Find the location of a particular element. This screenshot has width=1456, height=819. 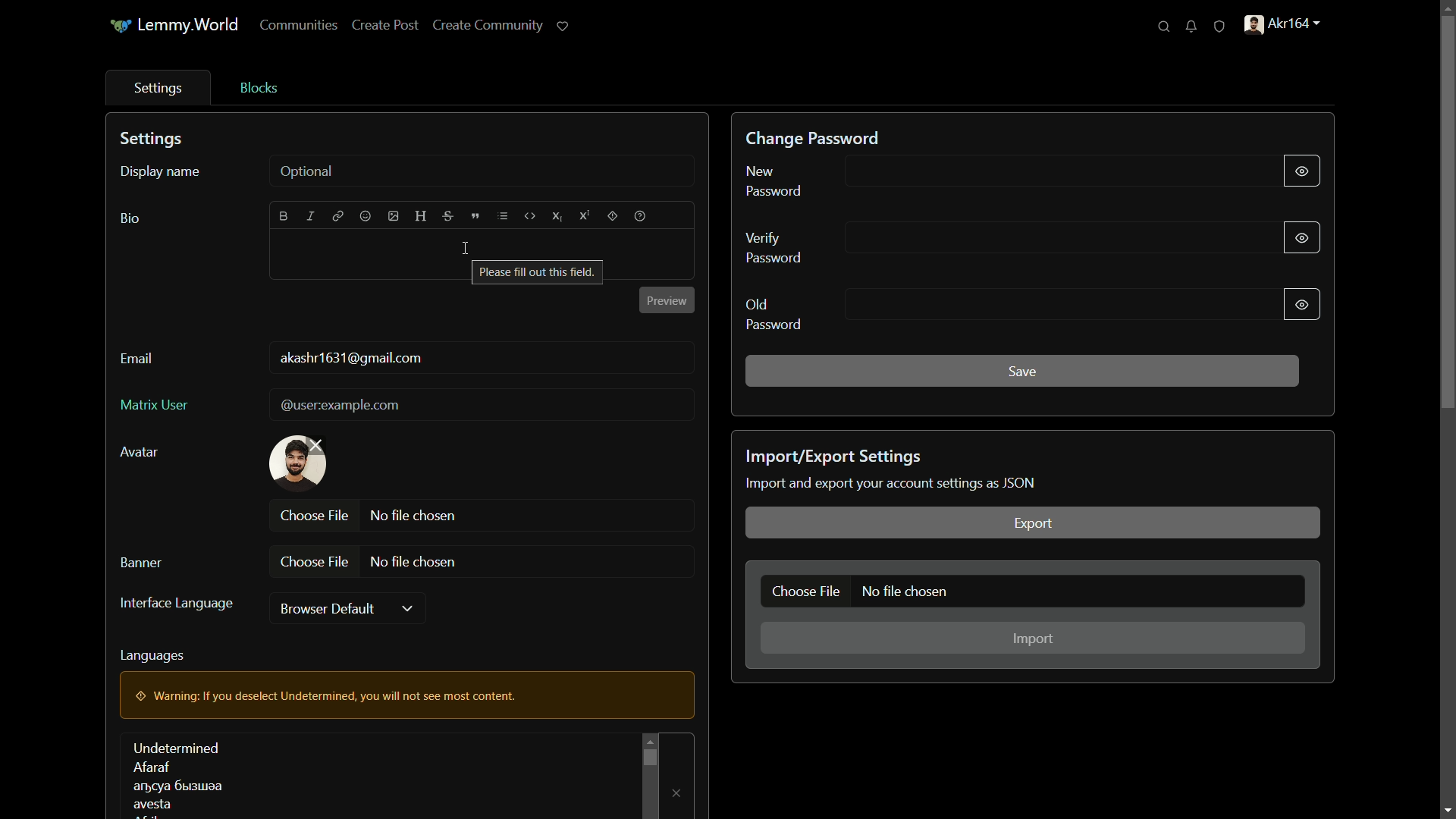

link is located at coordinates (339, 215).